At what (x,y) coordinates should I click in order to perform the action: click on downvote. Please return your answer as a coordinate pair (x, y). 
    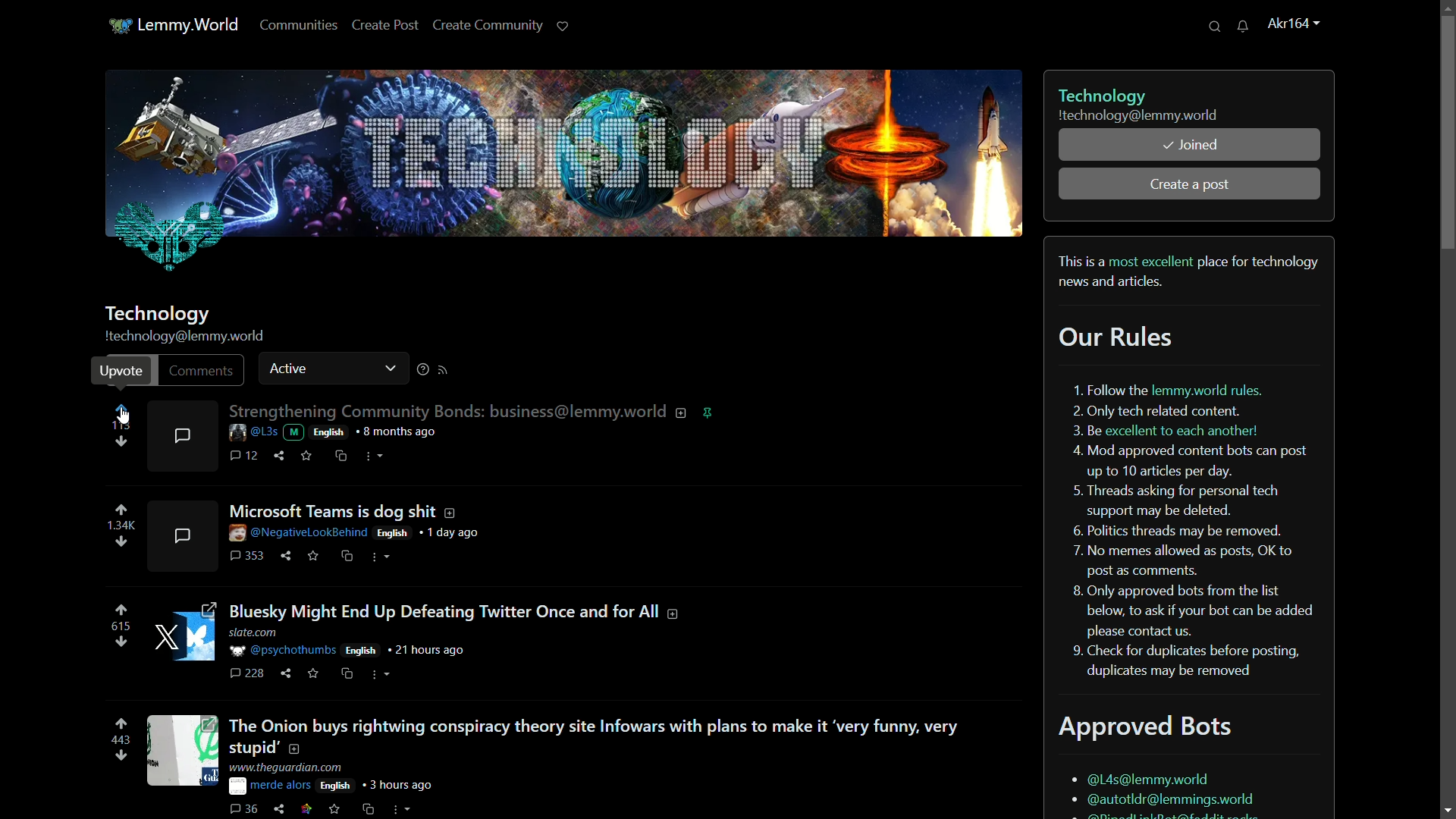
    Looking at the image, I should click on (121, 542).